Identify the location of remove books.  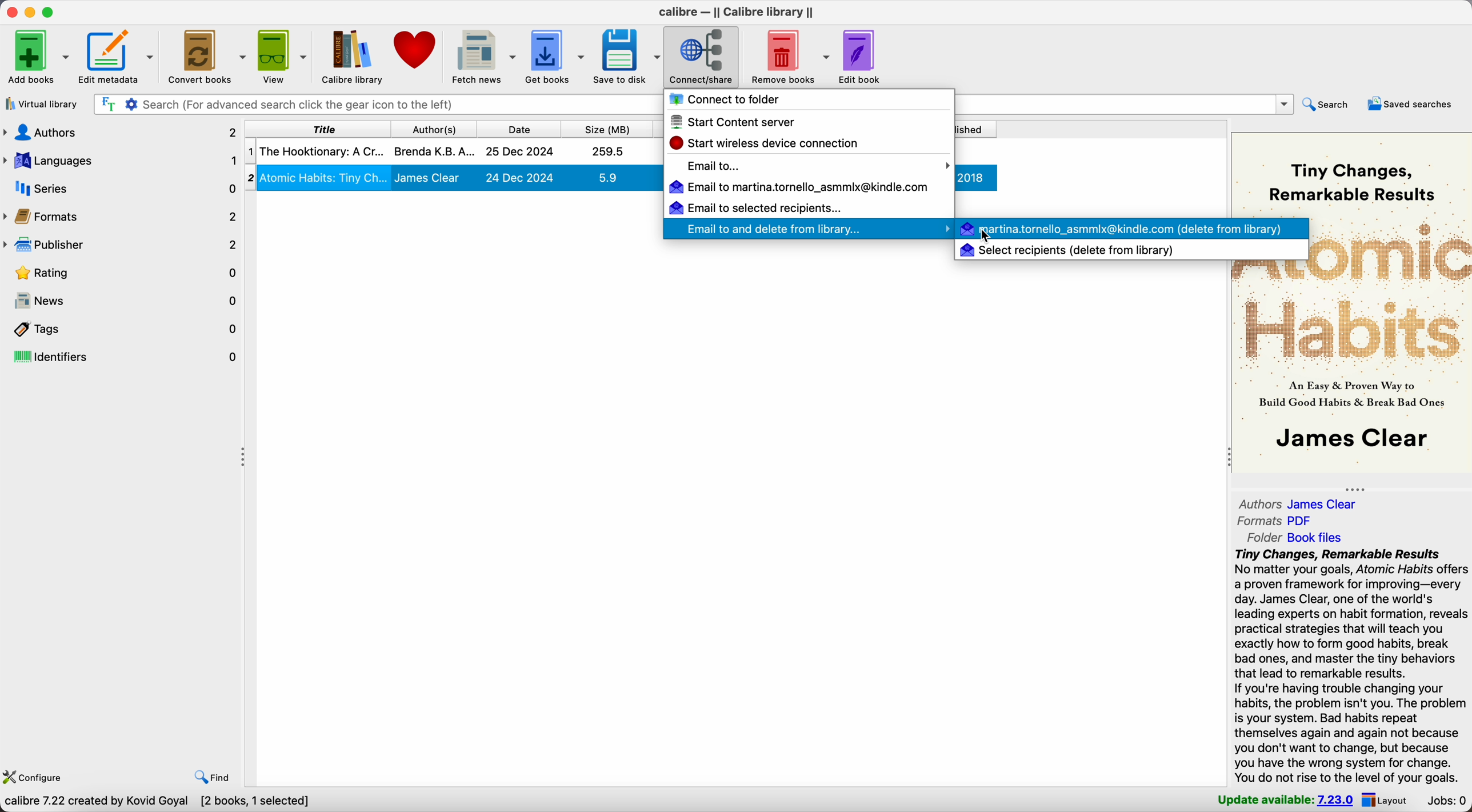
(787, 55).